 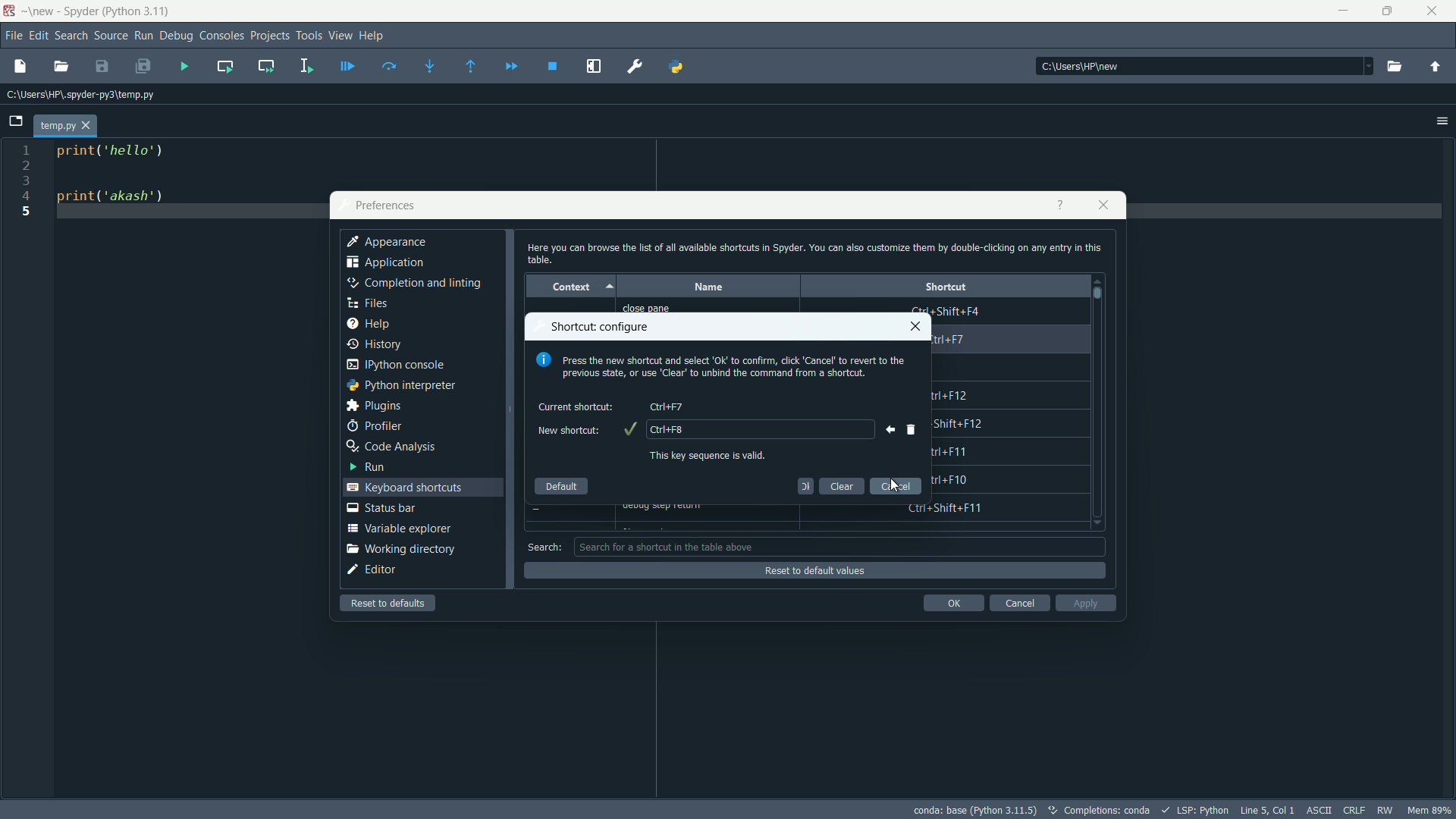 I want to click on shortcut configure, so click(x=602, y=327).